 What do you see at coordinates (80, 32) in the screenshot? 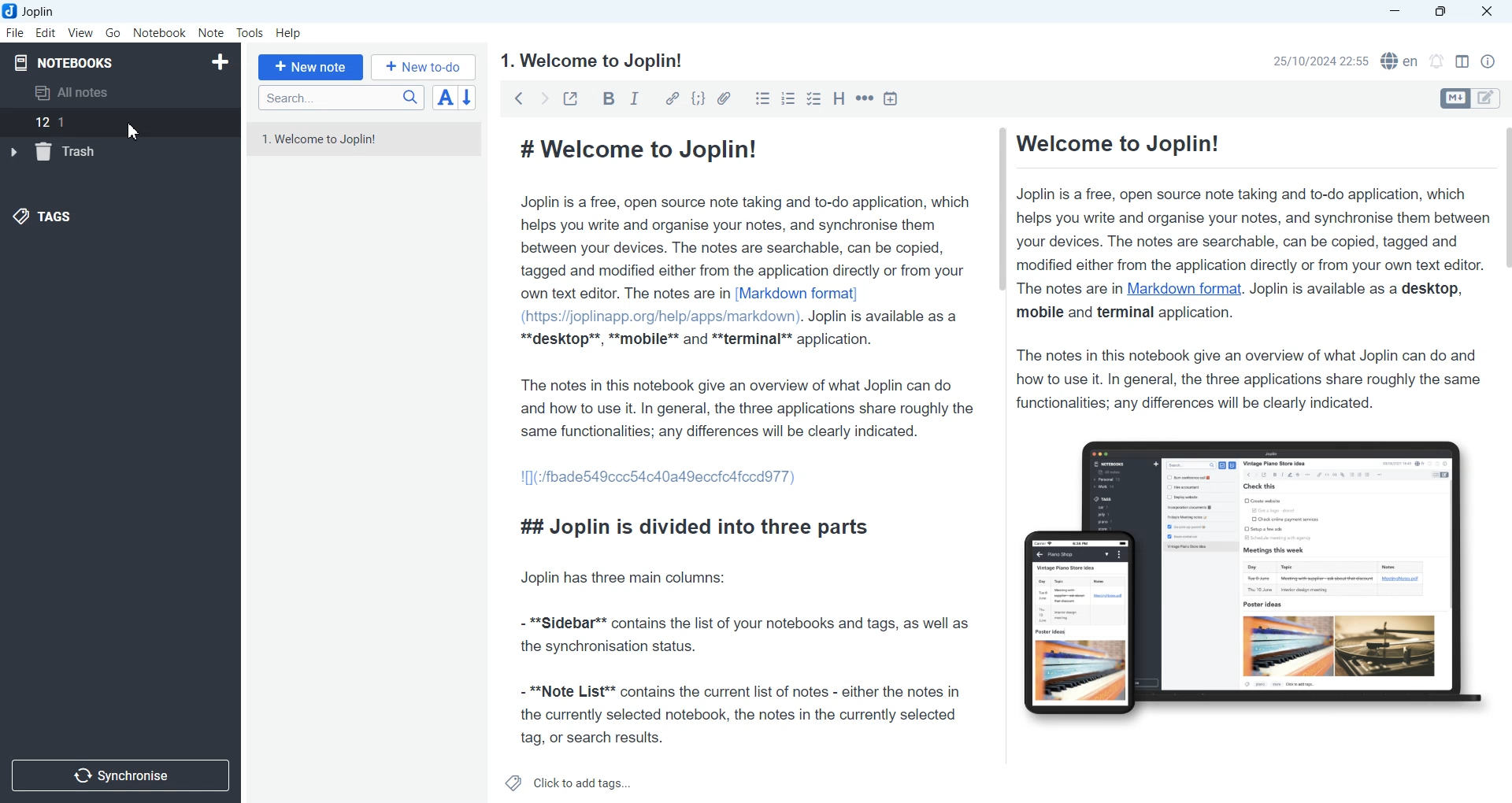
I see `View ` at bounding box center [80, 32].